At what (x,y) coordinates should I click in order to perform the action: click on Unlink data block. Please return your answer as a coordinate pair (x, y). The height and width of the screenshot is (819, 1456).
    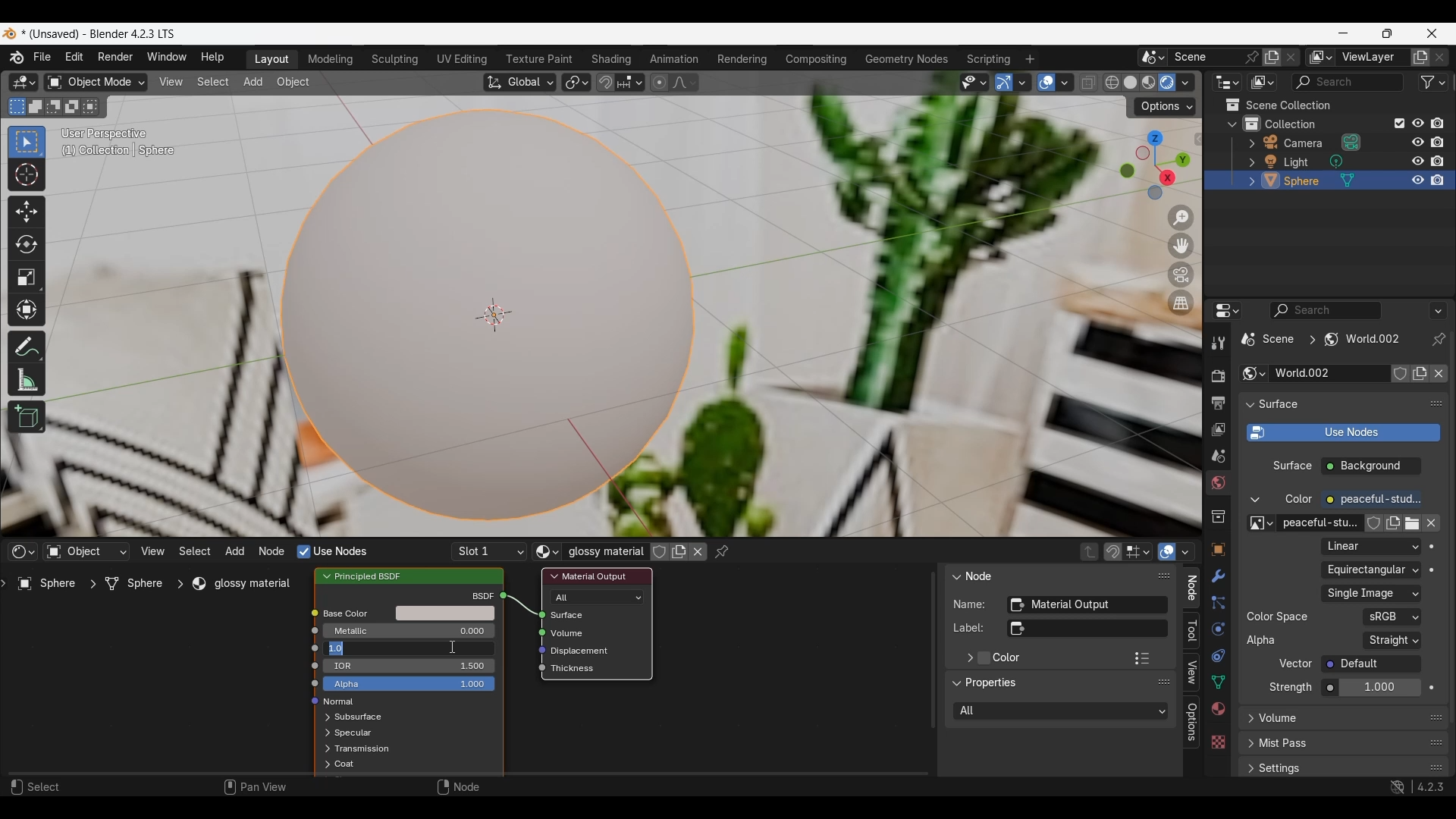
    Looking at the image, I should click on (698, 551).